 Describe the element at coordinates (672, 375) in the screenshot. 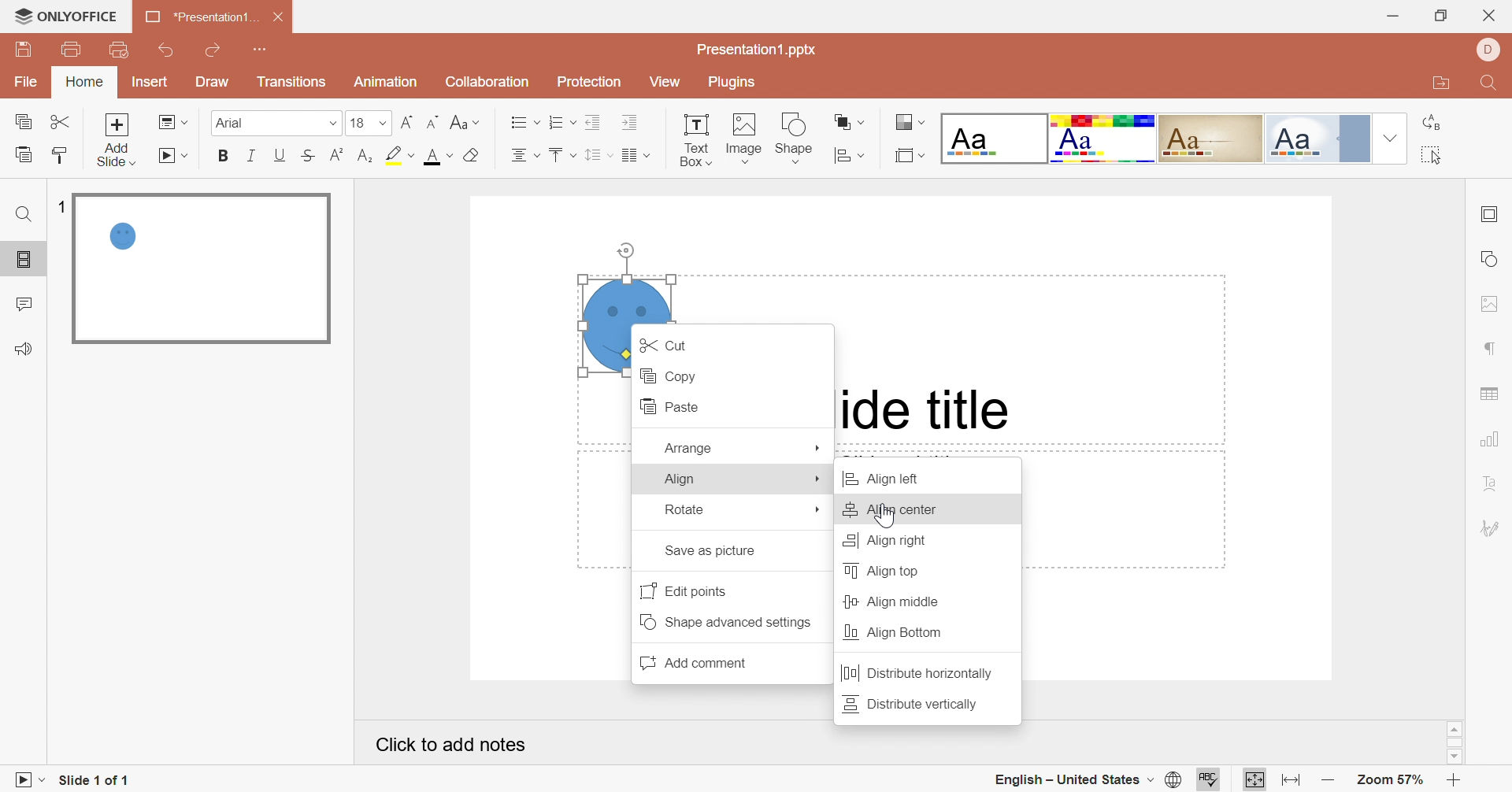

I see `Copy` at that location.